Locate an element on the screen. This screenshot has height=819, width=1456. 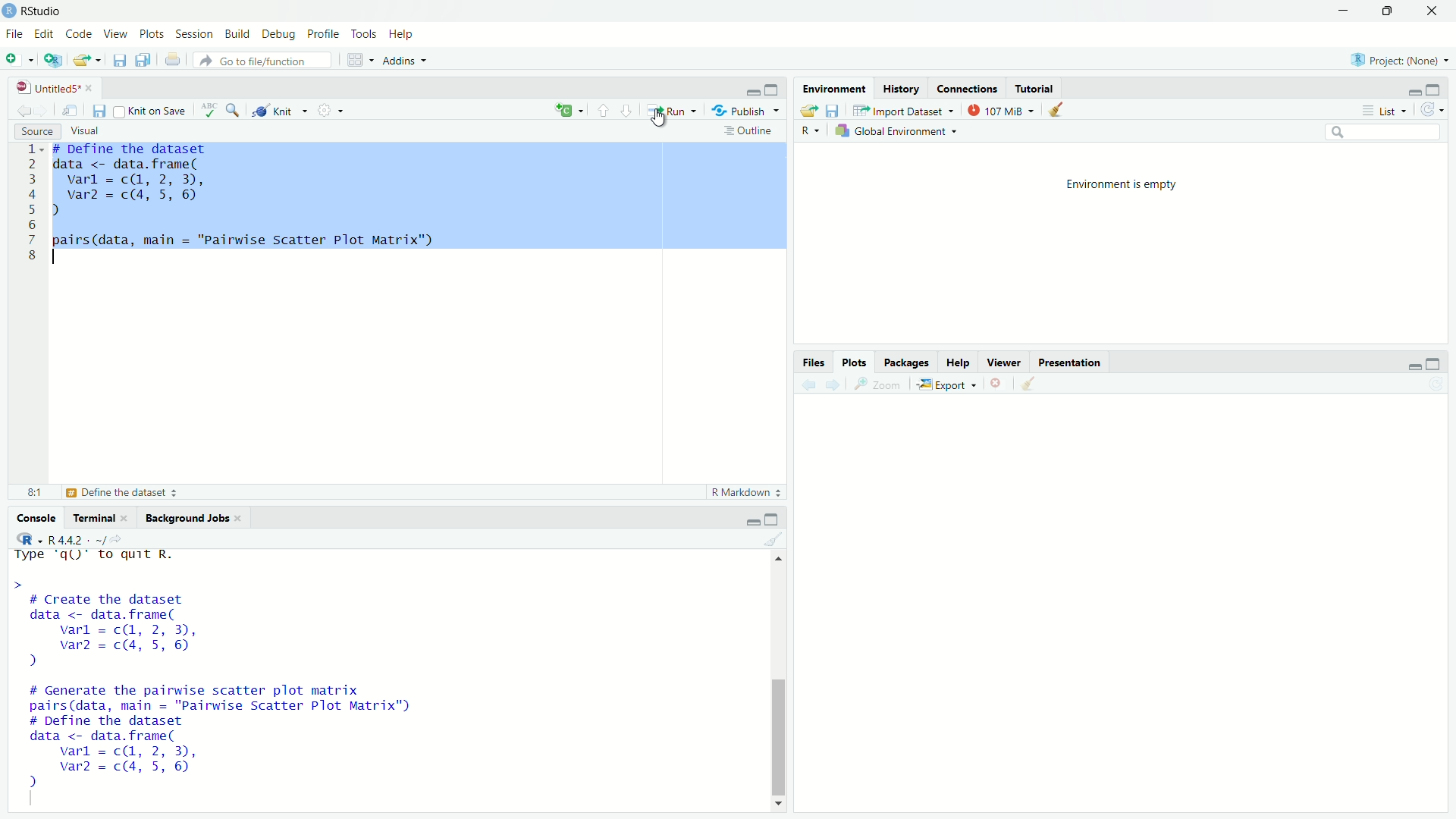
Environment is empty is located at coordinates (1124, 184).